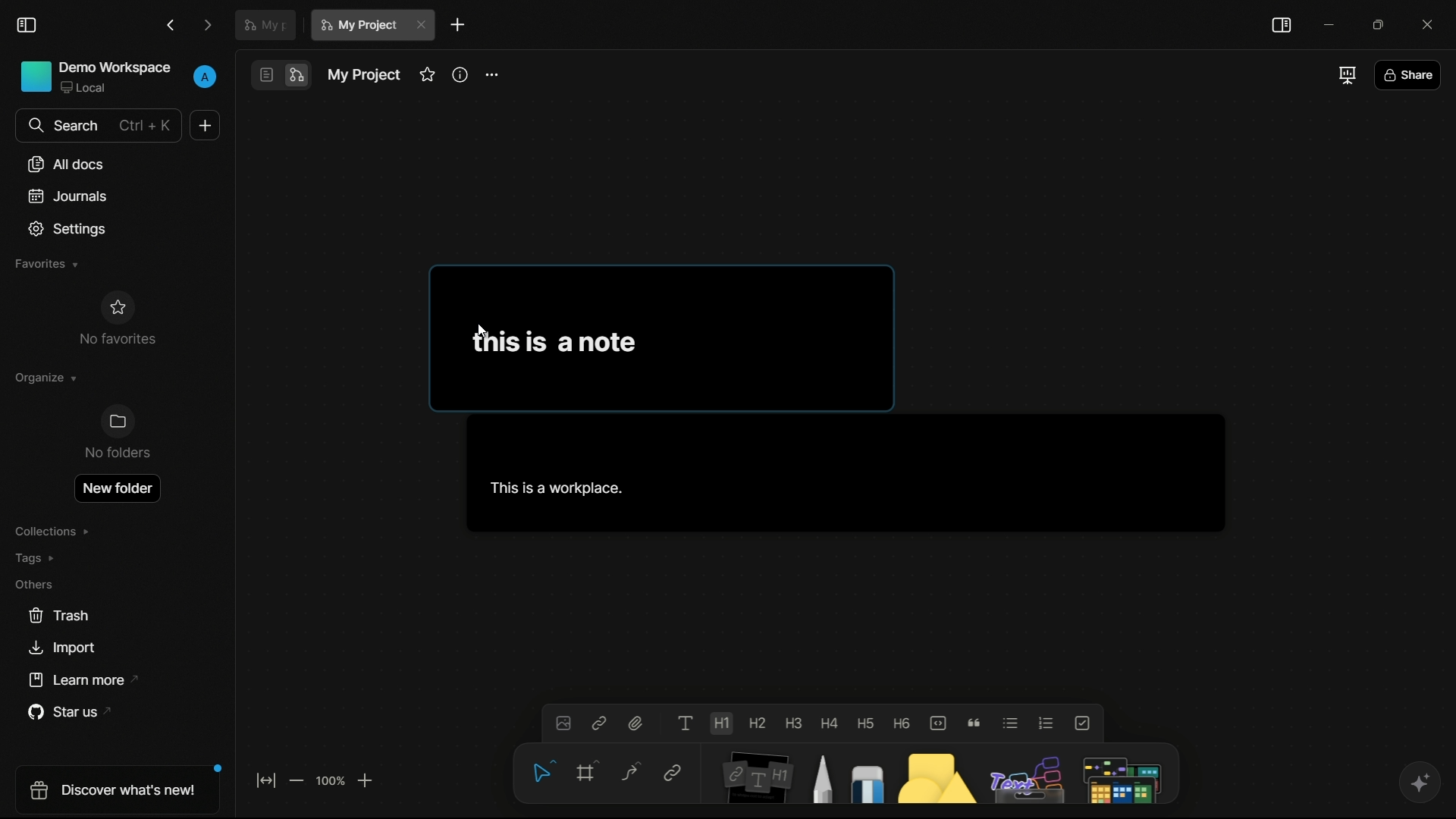 This screenshot has height=819, width=1456. I want to click on to do list, so click(1083, 723).